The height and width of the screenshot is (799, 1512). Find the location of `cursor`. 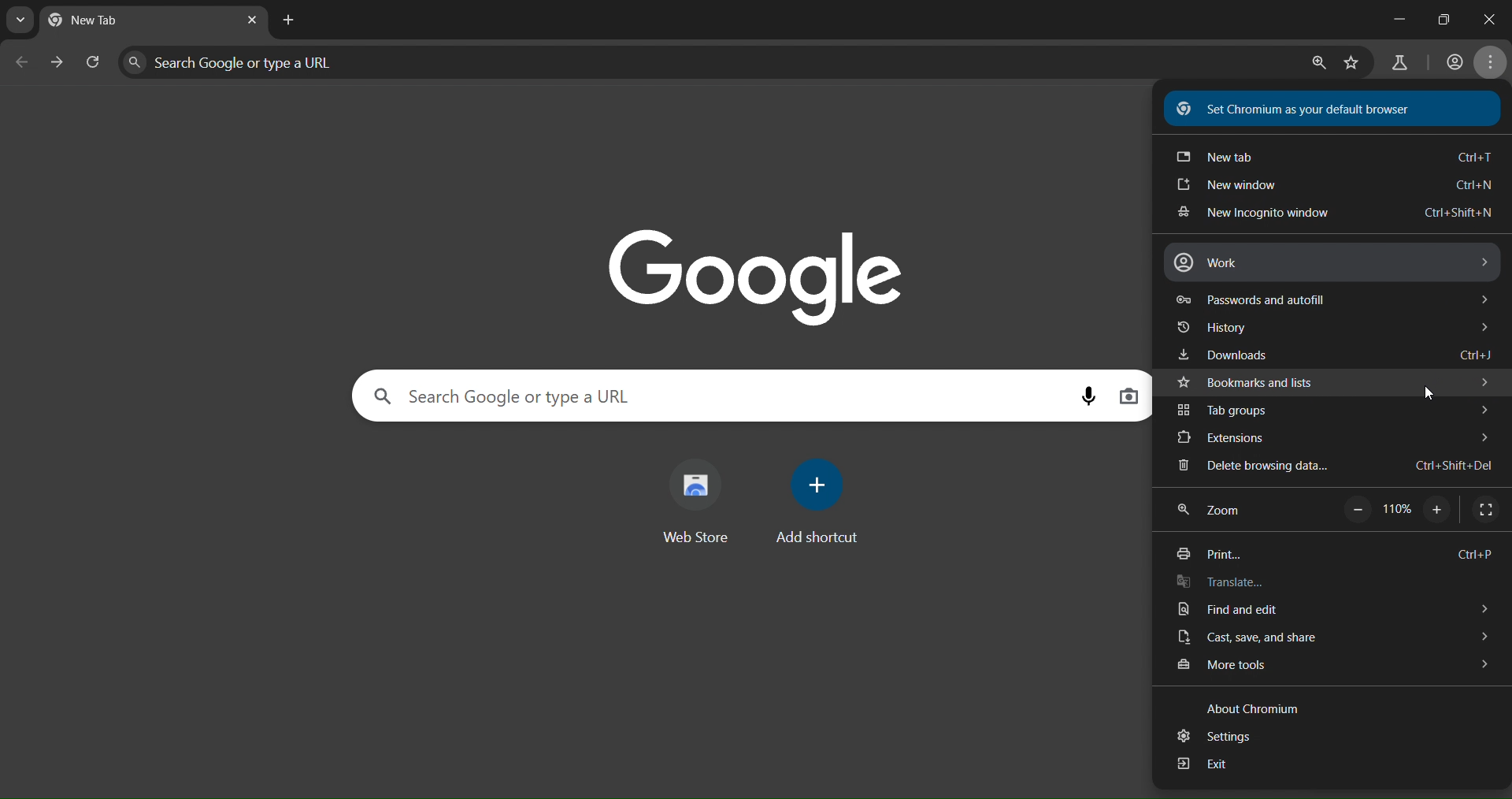

cursor is located at coordinates (1421, 395).